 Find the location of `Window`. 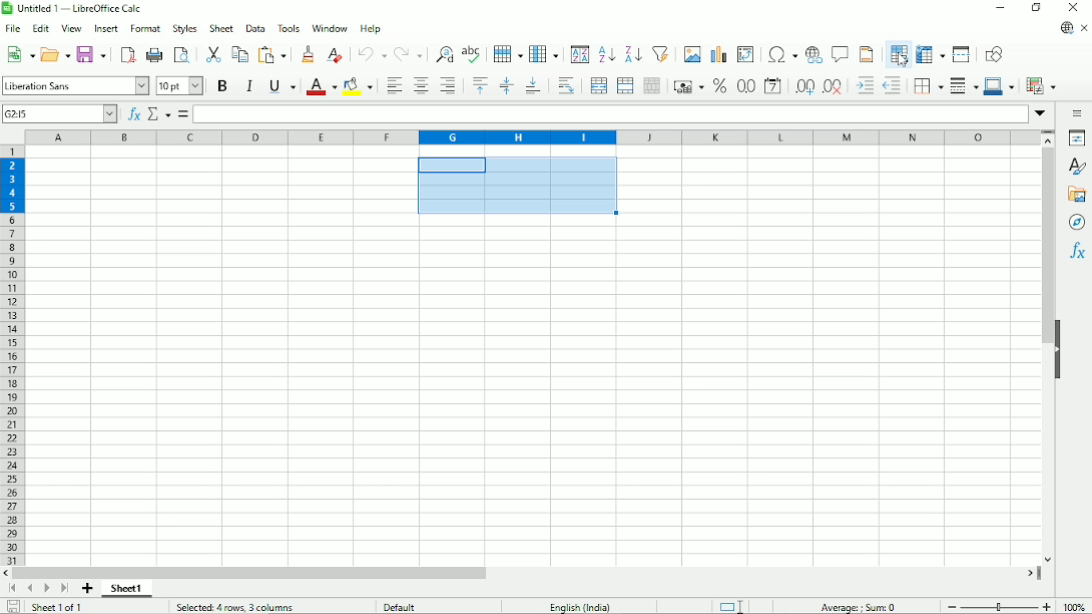

Window is located at coordinates (330, 29).